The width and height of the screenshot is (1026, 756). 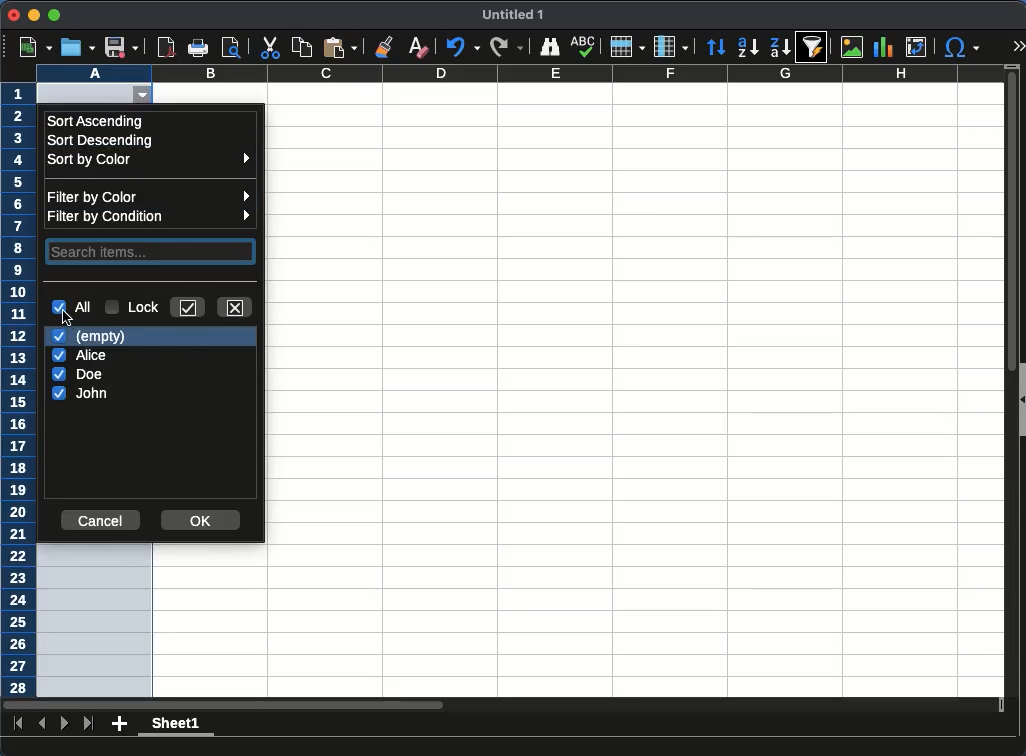 What do you see at coordinates (44, 723) in the screenshot?
I see `previous sheet` at bounding box center [44, 723].